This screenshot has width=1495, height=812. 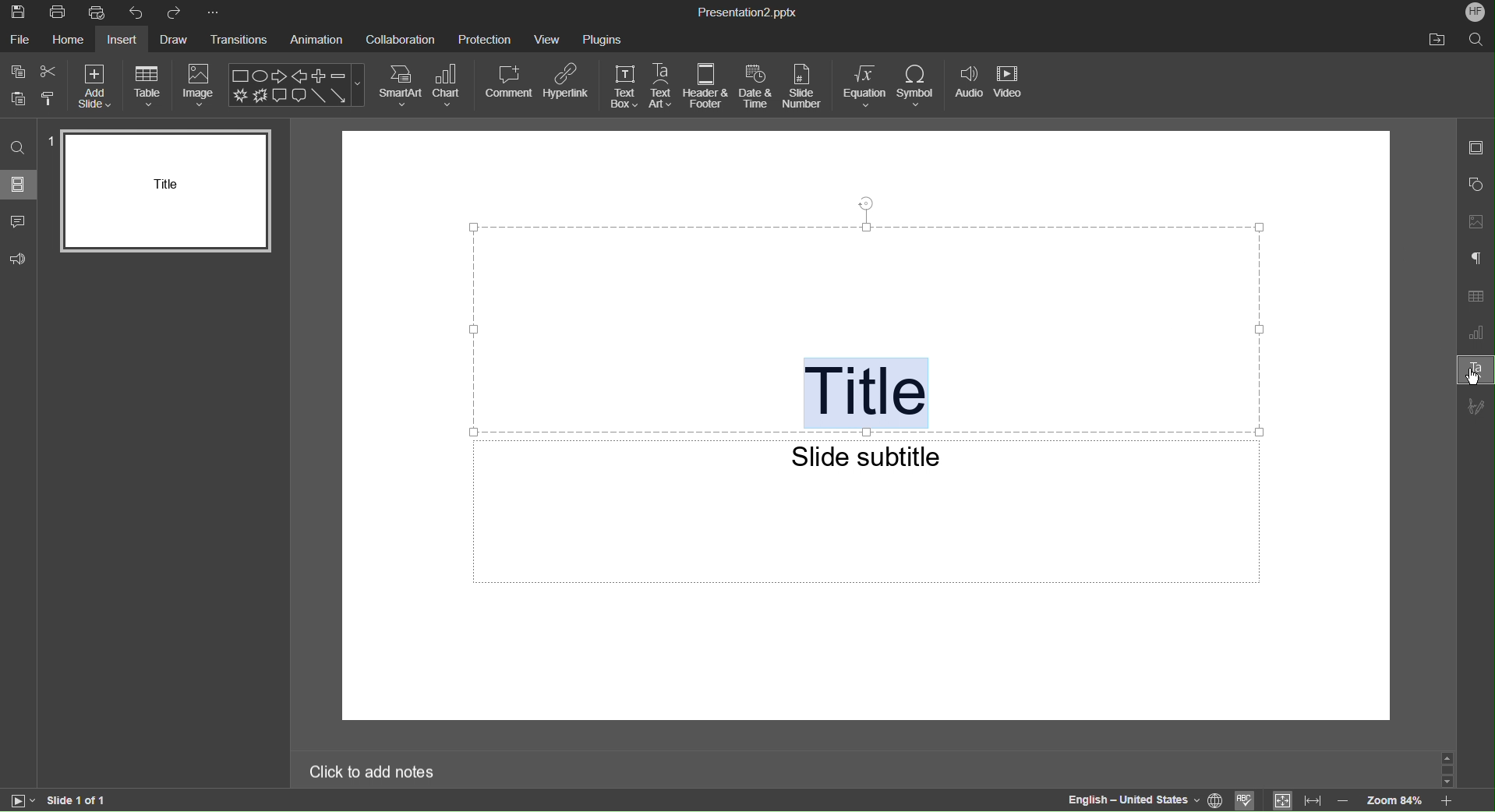 I want to click on Video, so click(x=1013, y=86).